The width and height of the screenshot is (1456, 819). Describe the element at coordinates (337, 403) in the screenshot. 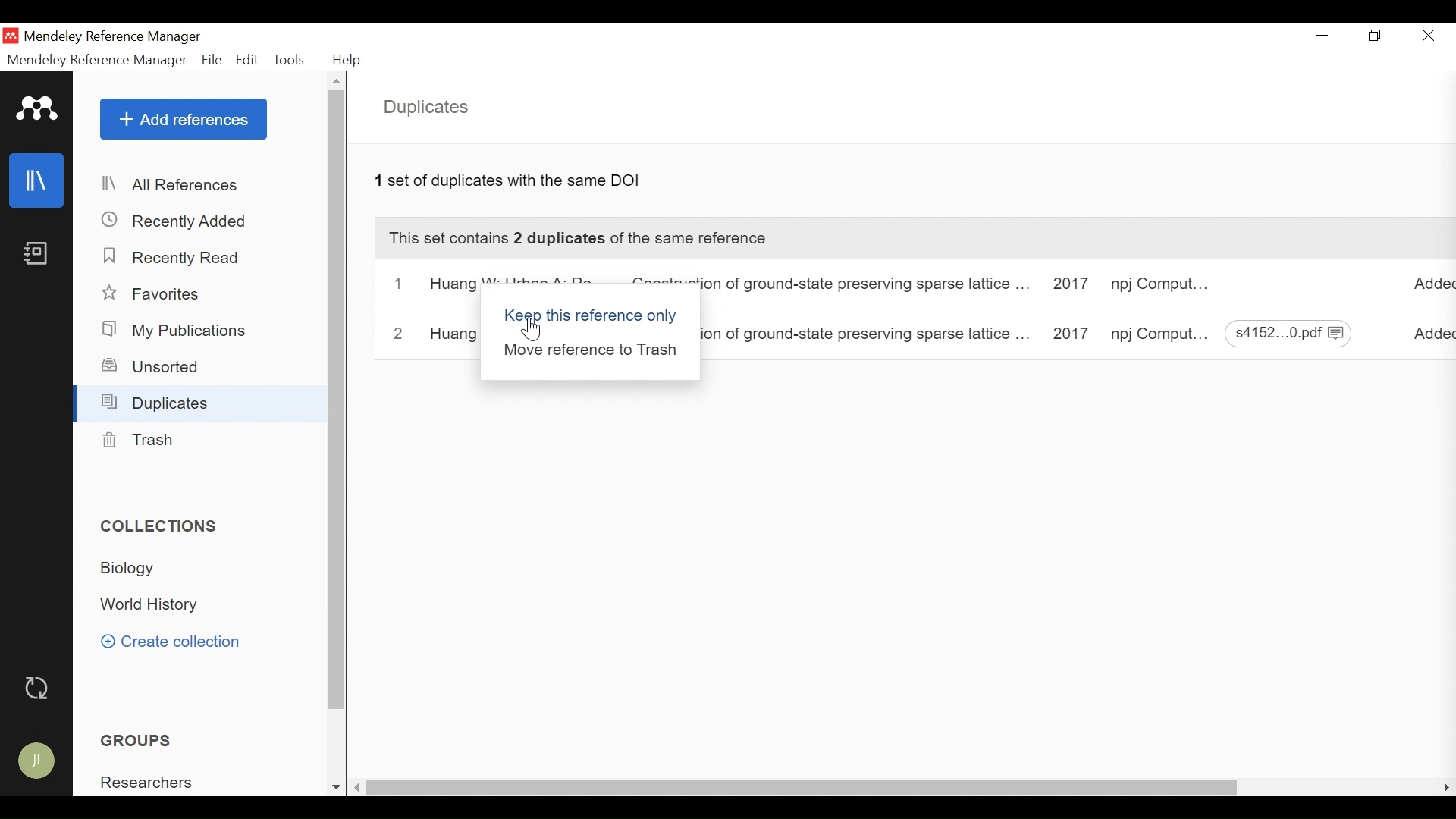

I see `Vertical Scroll bar` at that location.